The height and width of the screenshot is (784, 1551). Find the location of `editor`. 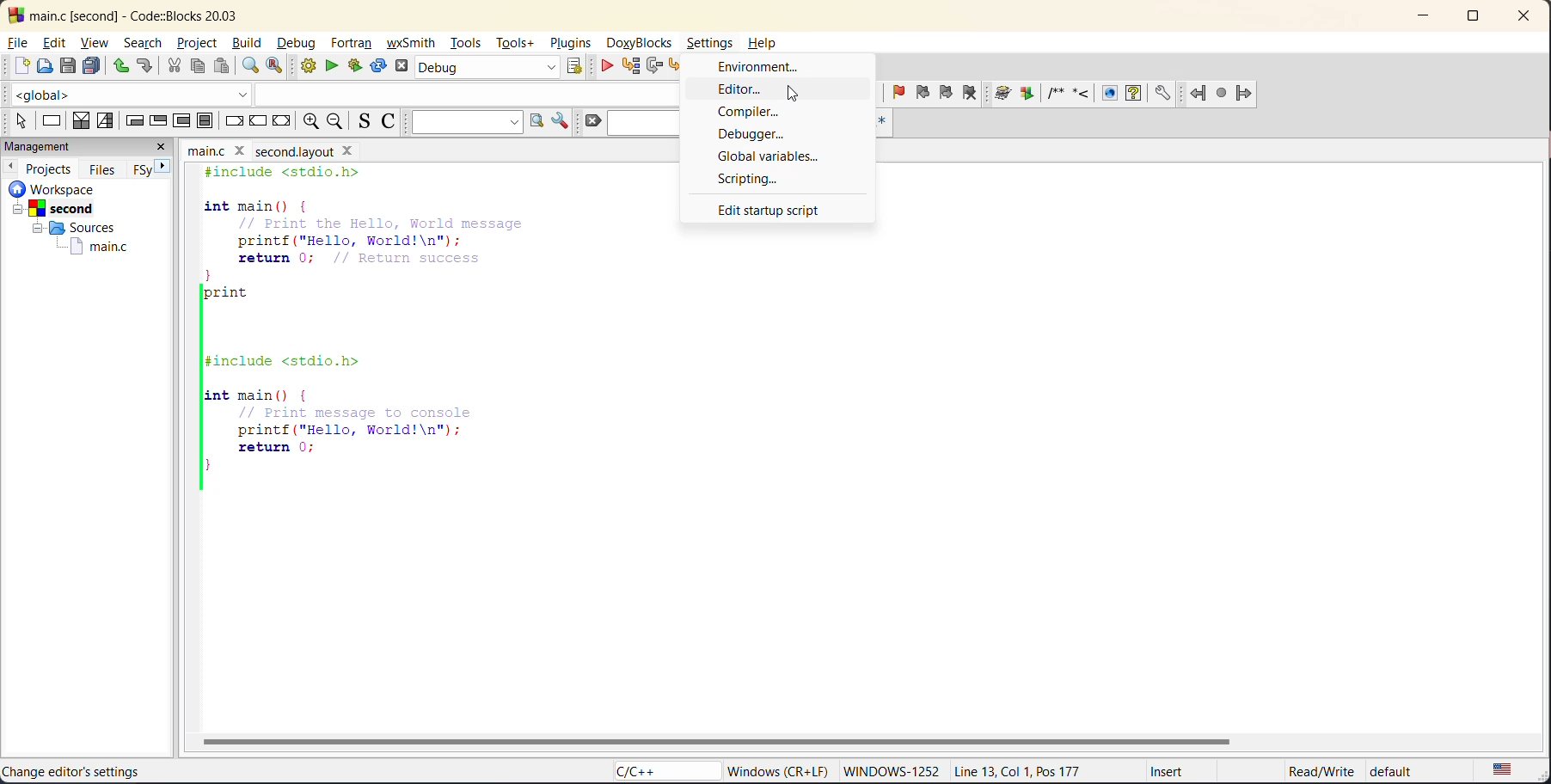

editor is located at coordinates (741, 88).